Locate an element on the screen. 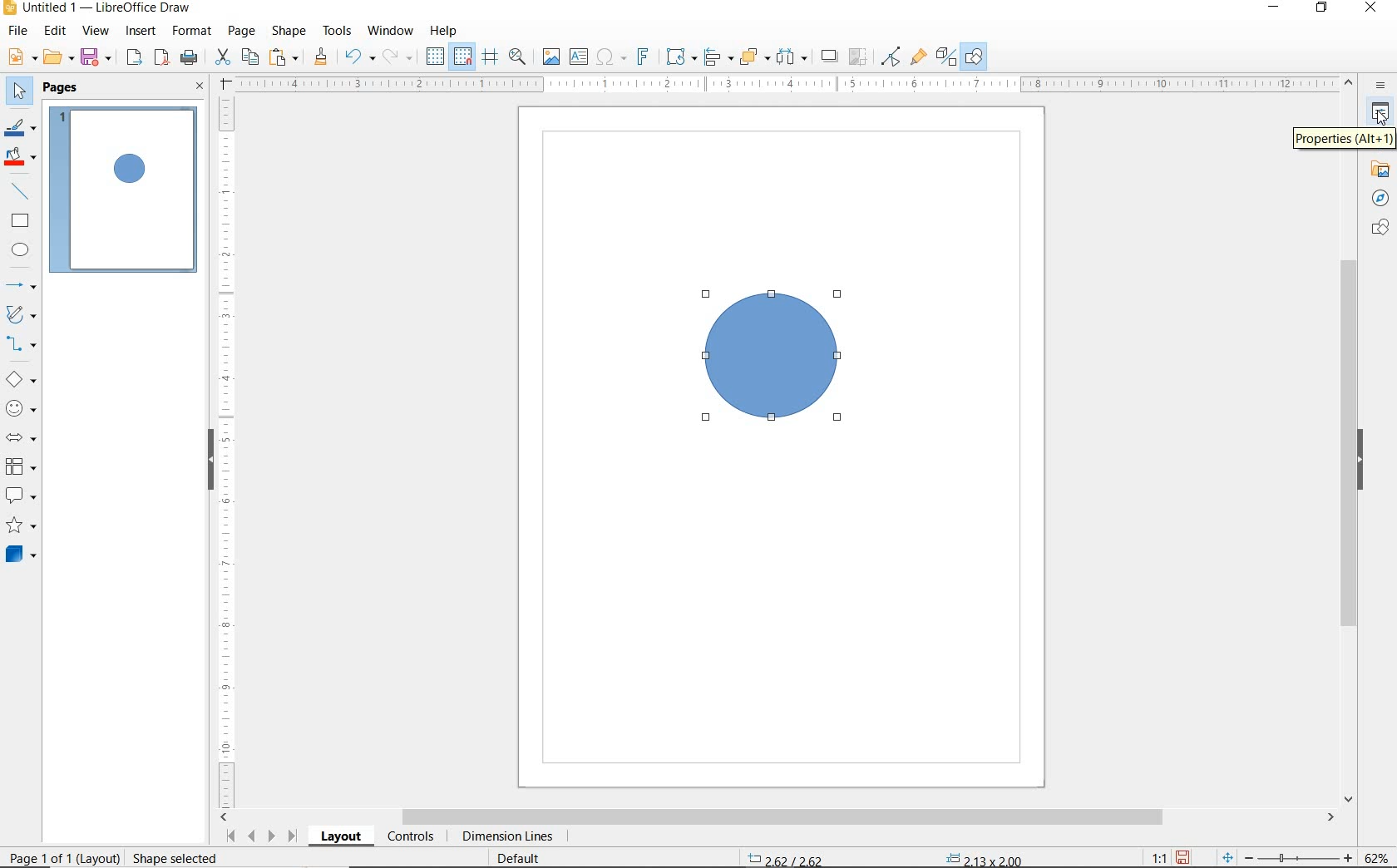 The width and height of the screenshot is (1397, 868). SIDEBAR SETTINGS is located at coordinates (1381, 85).